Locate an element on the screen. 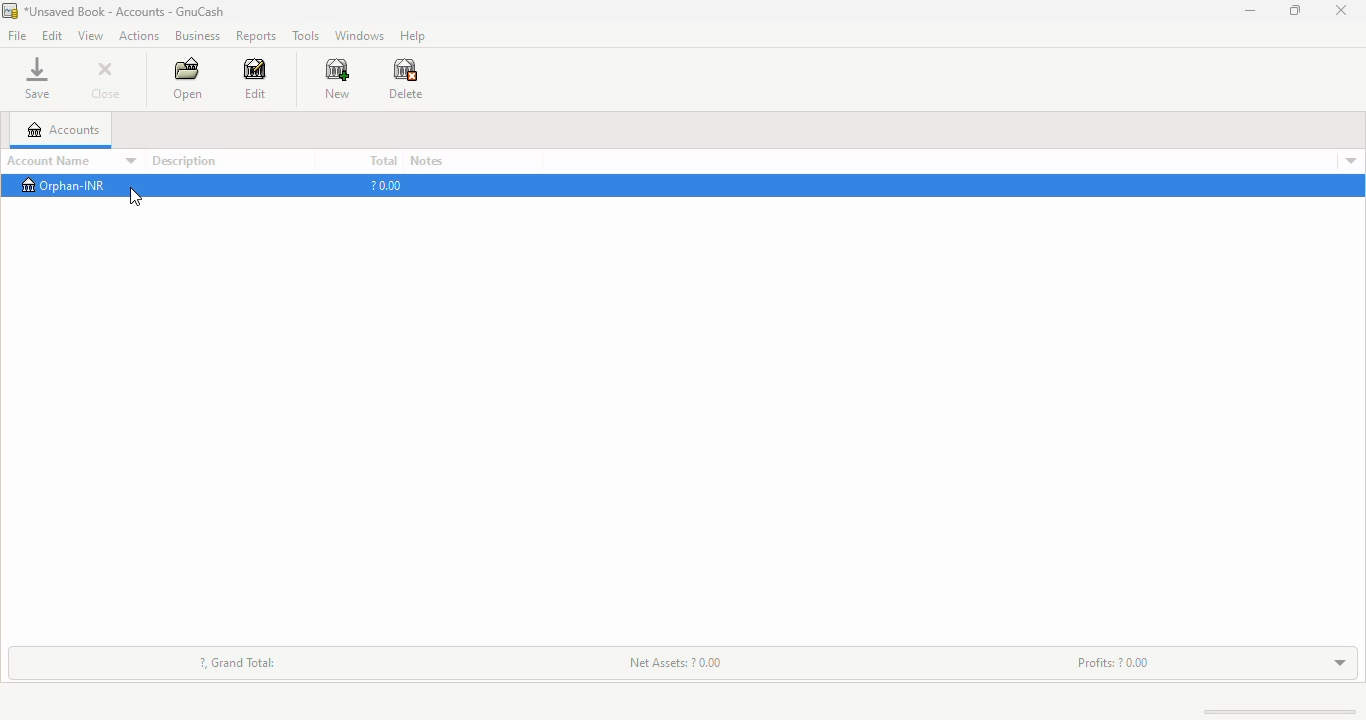  new is located at coordinates (336, 78).